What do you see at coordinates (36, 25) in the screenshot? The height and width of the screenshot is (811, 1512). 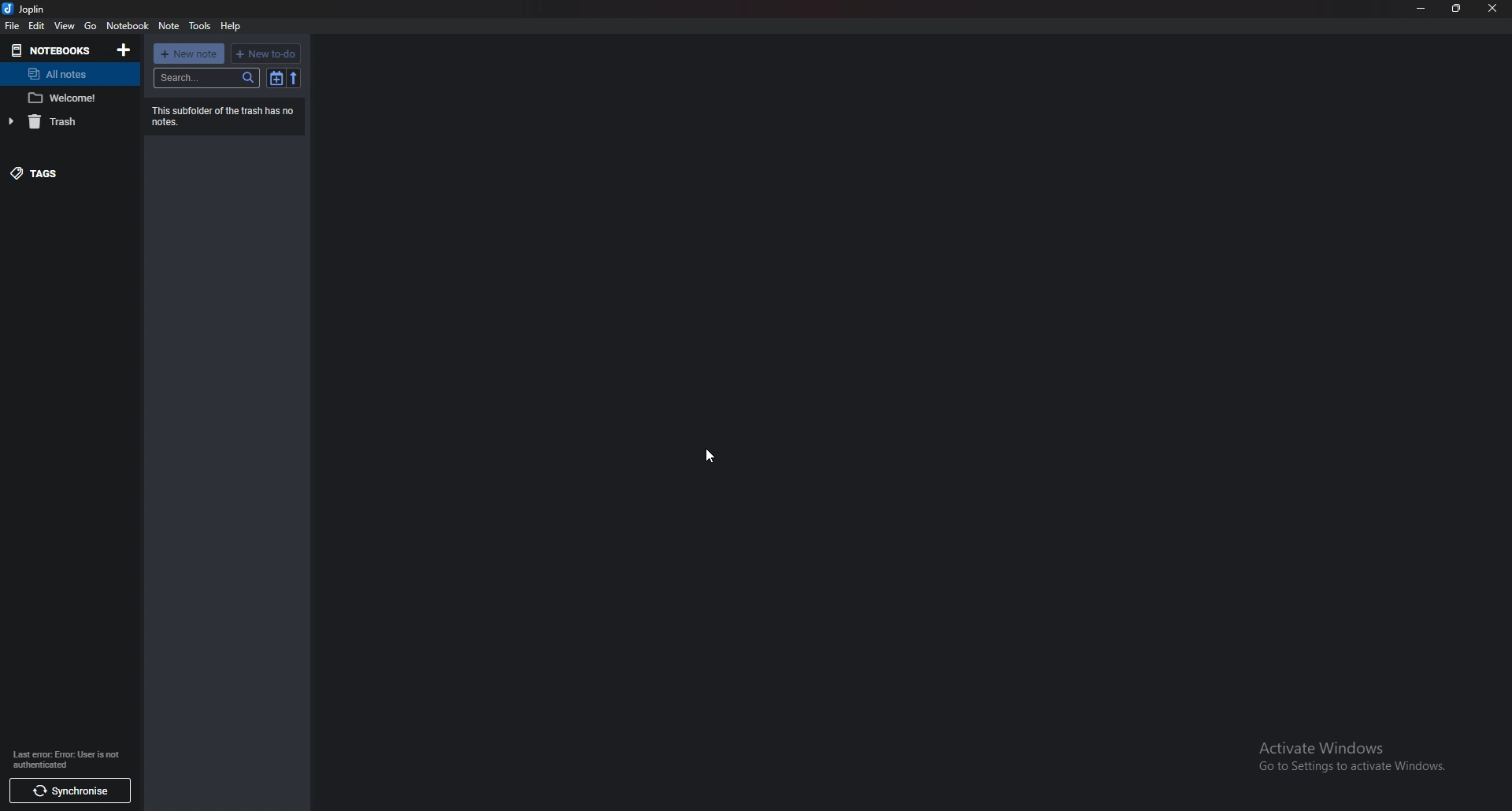 I see `Edit` at bounding box center [36, 25].